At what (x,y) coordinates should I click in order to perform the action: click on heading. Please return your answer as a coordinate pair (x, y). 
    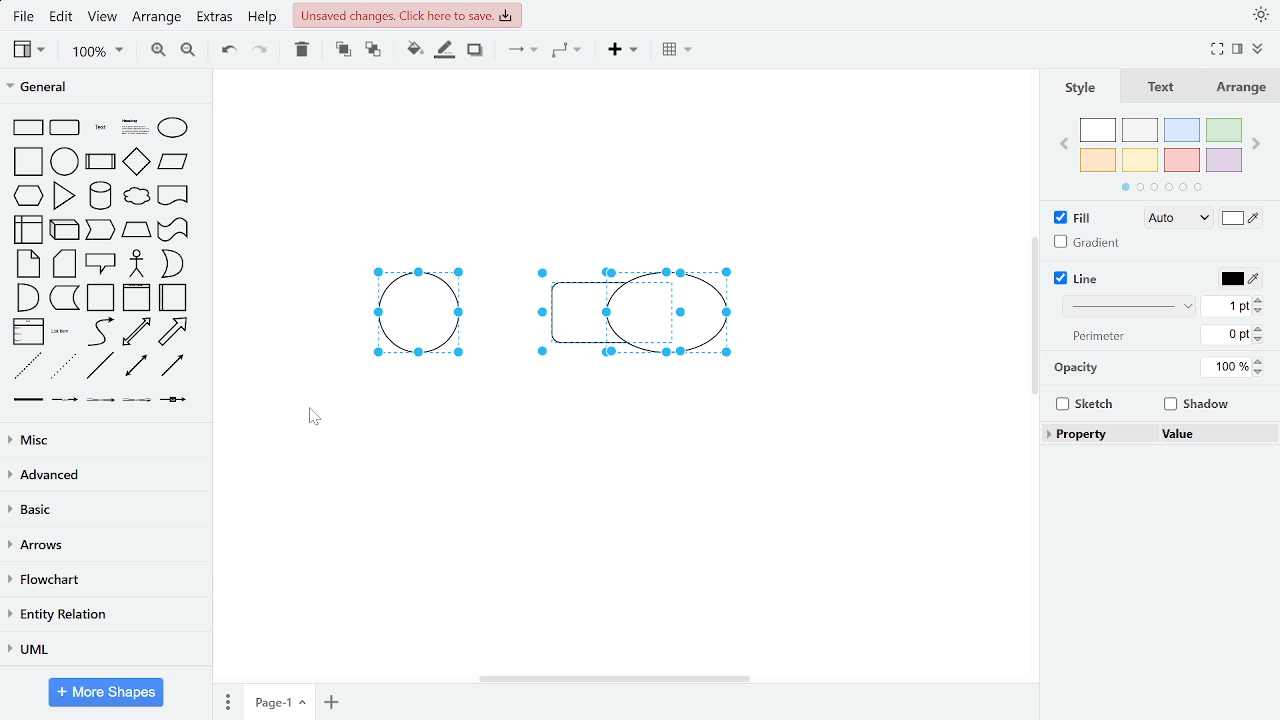
    Looking at the image, I should click on (134, 128).